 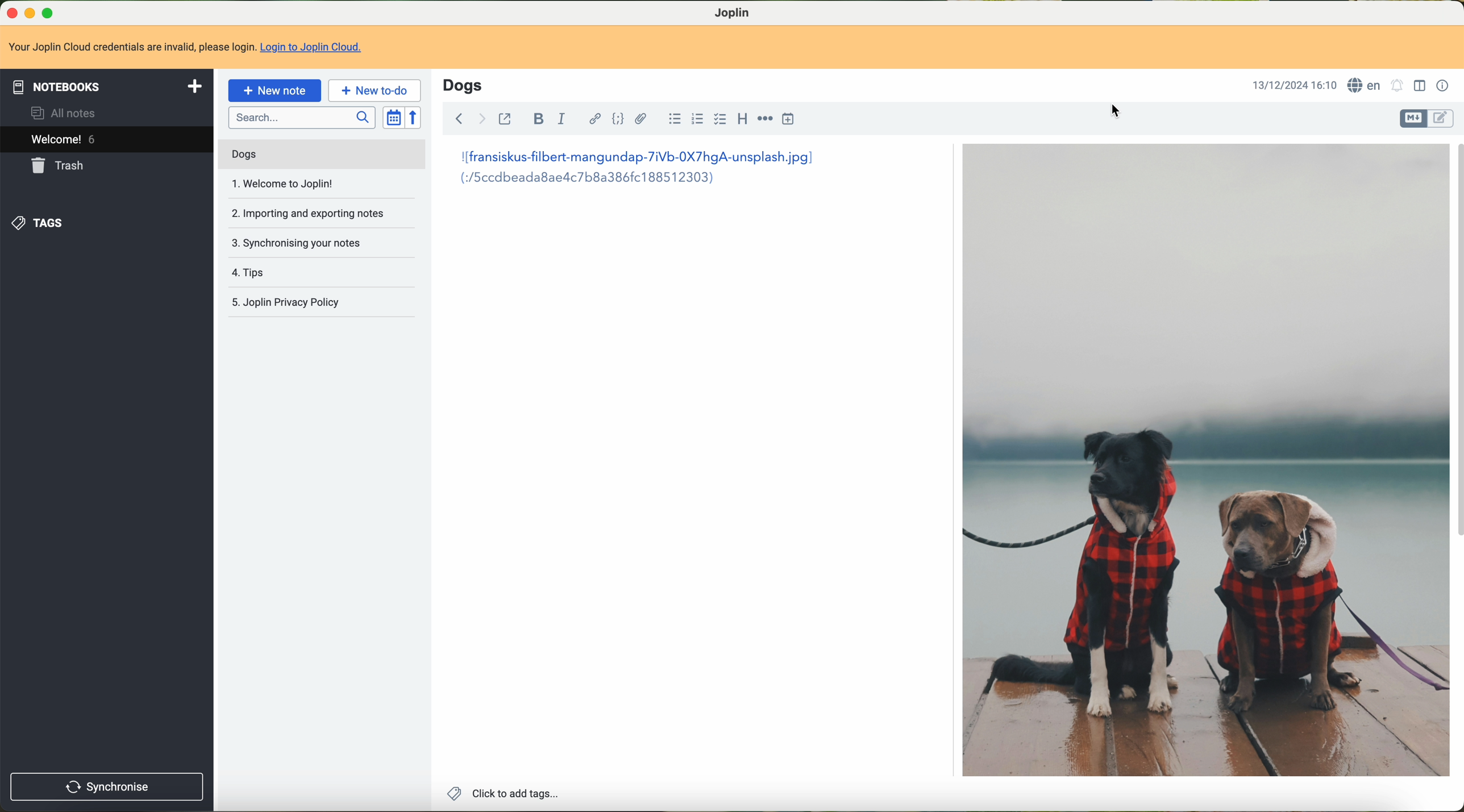 What do you see at coordinates (480, 118) in the screenshot?
I see `navigate foward arrow` at bounding box center [480, 118].